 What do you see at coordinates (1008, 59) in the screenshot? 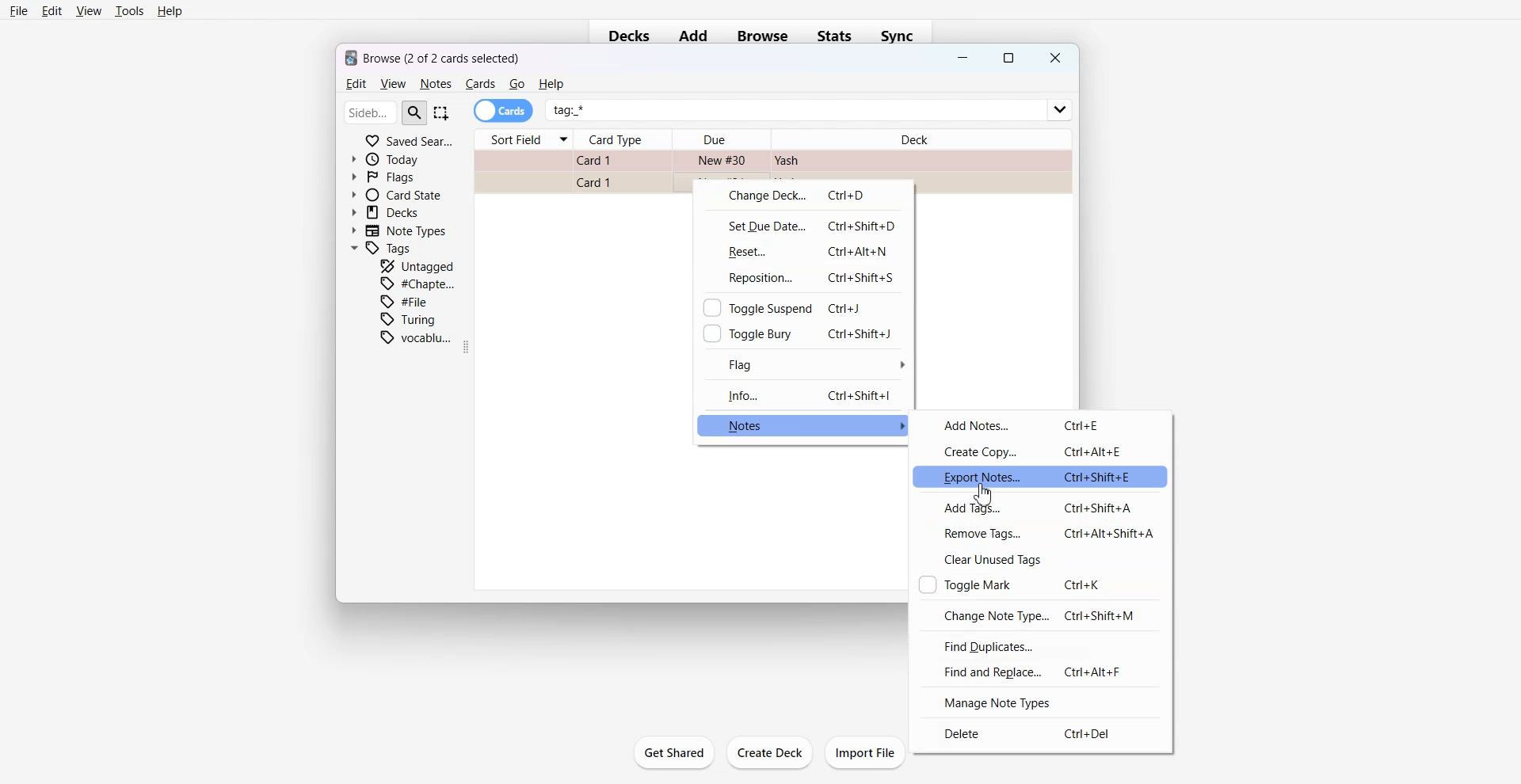
I see `Maximize` at bounding box center [1008, 59].